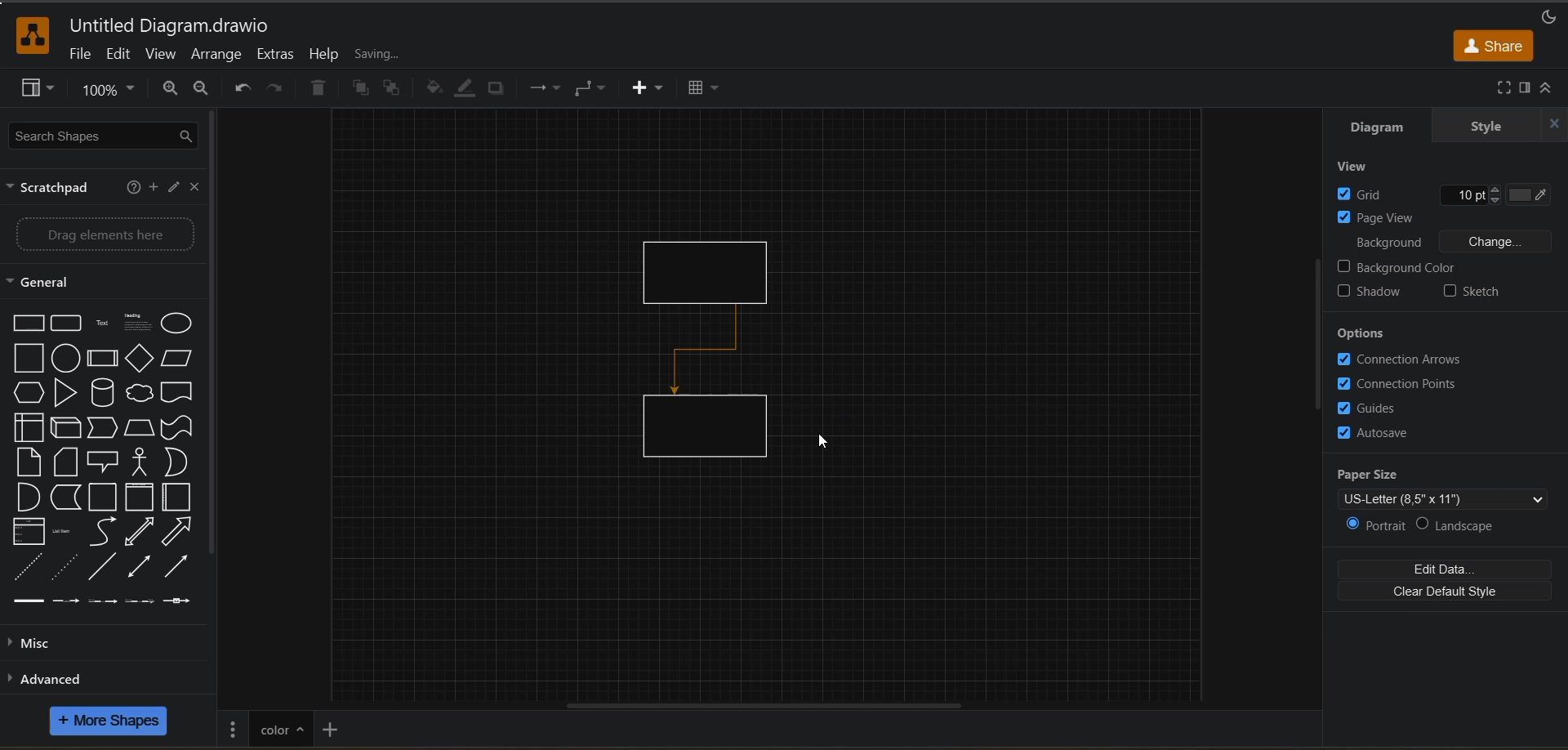 Image resolution: width=1568 pixels, height=750 pixels. I want to click on Cube, so click(66, 428).